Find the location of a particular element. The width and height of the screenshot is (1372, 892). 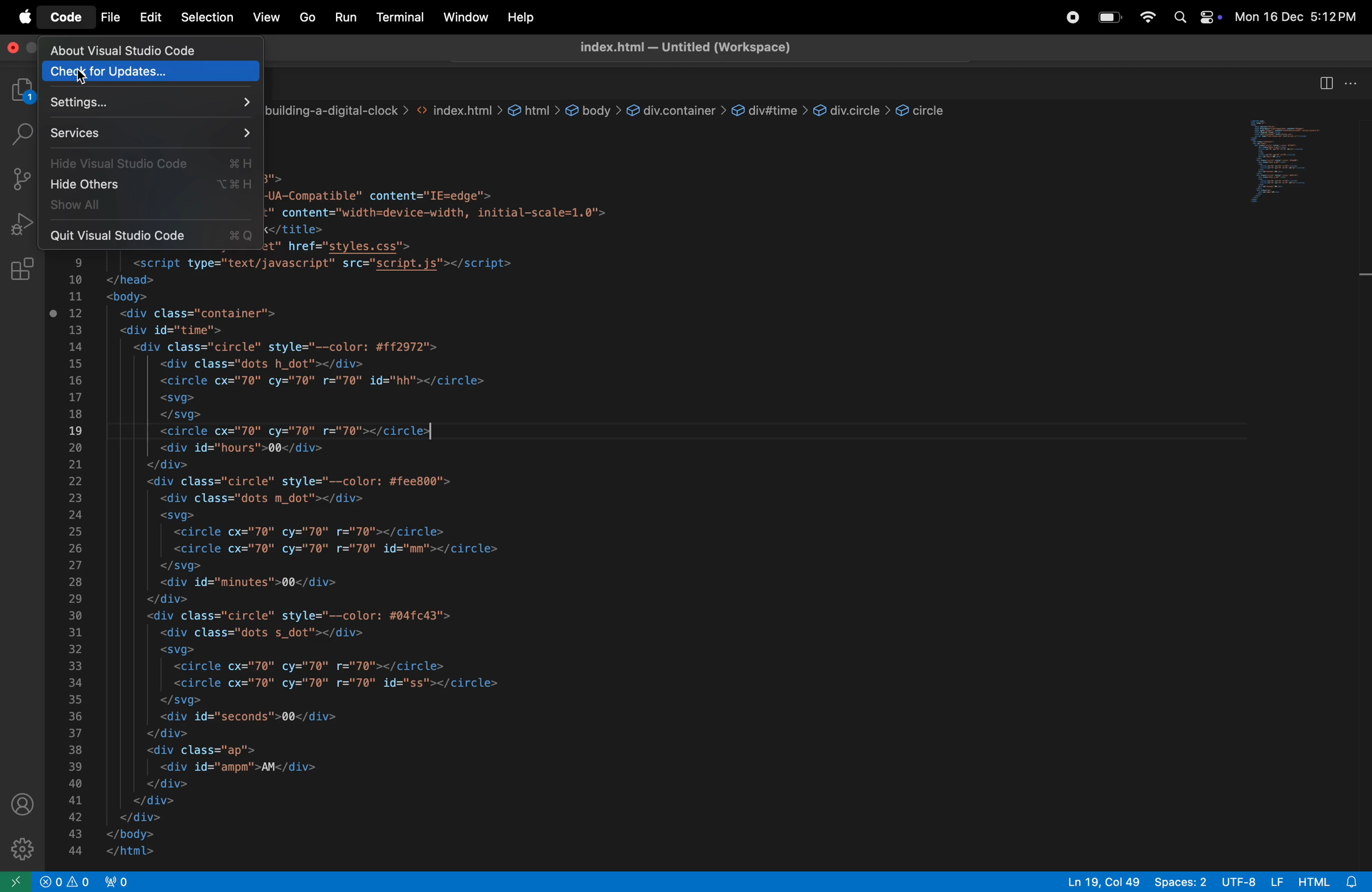

| <div class="dots h_dot"></div> is located at coordinates (259, 365).